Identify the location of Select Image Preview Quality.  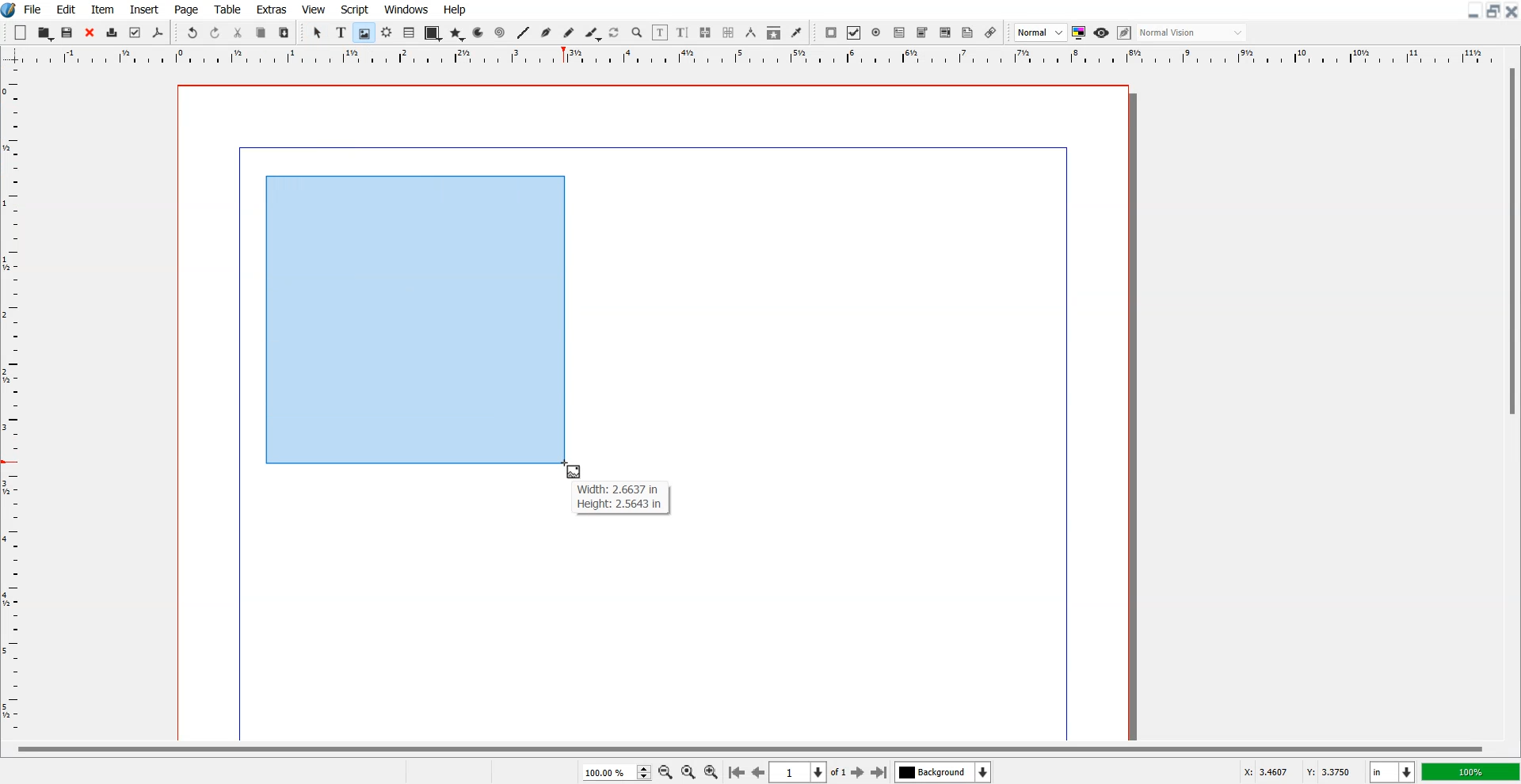
(1040, 32).